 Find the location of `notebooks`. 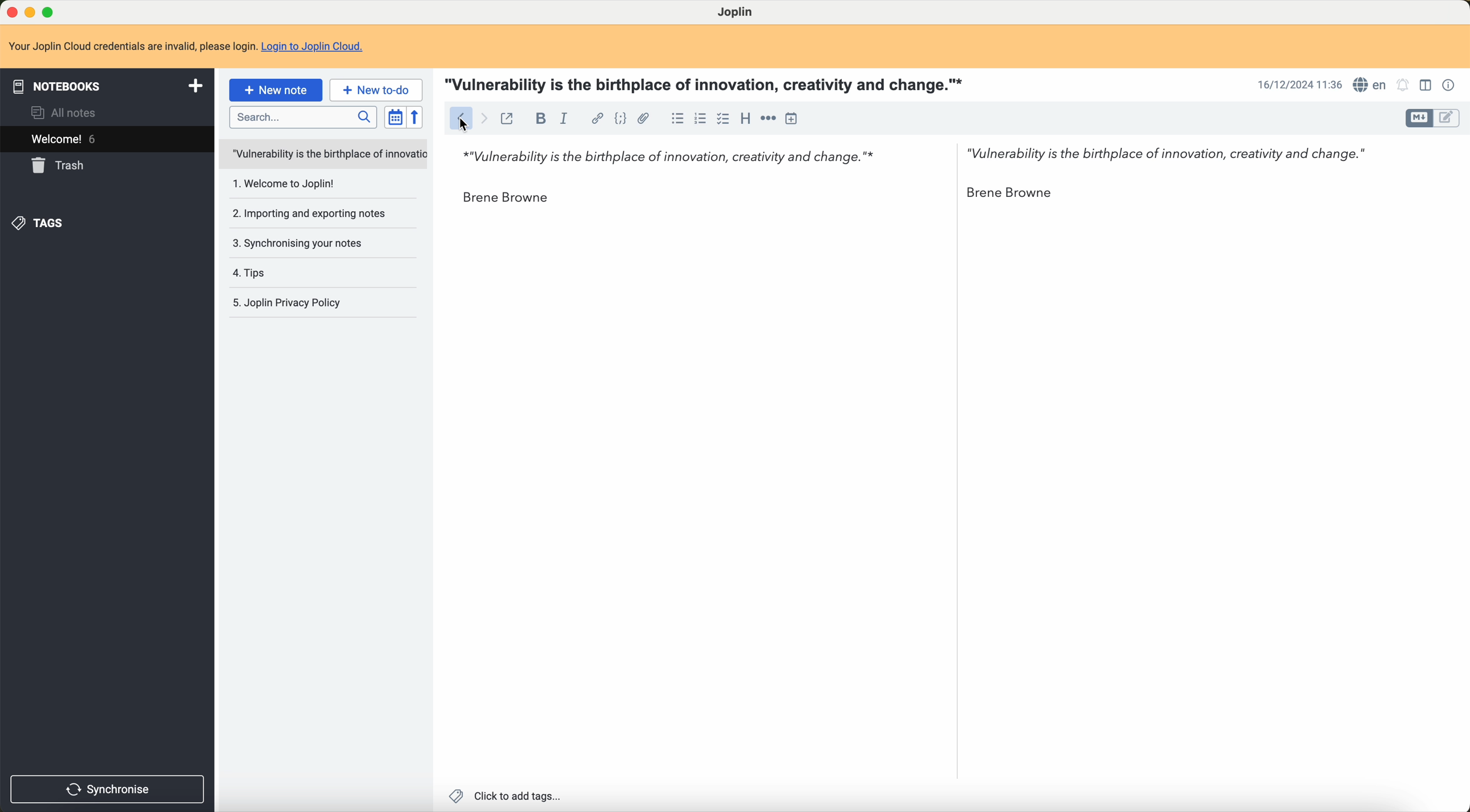

notebooks is located at coordinates (106, 87).